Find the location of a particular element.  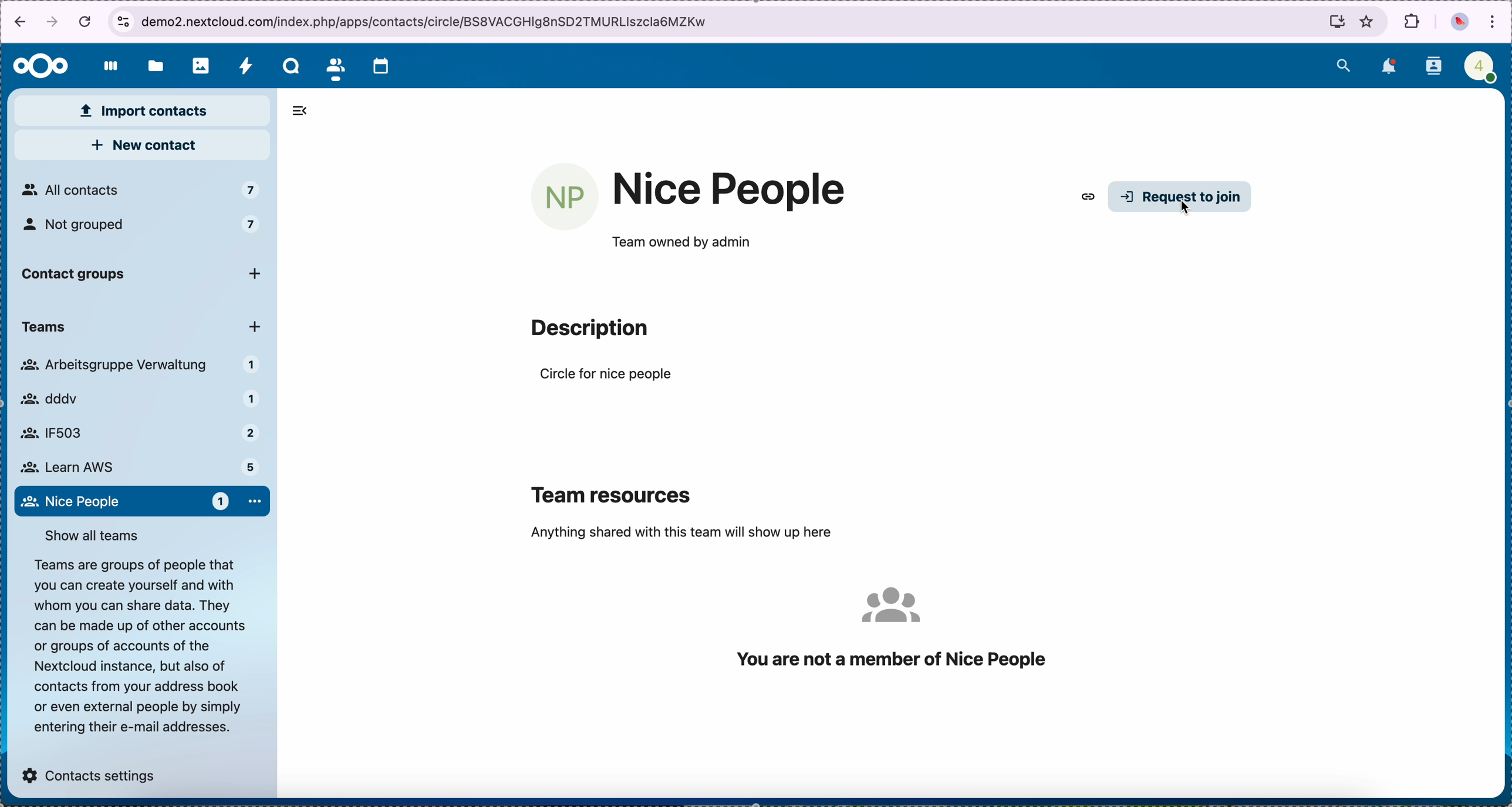

notifications is located at coordinates (1387, 67).